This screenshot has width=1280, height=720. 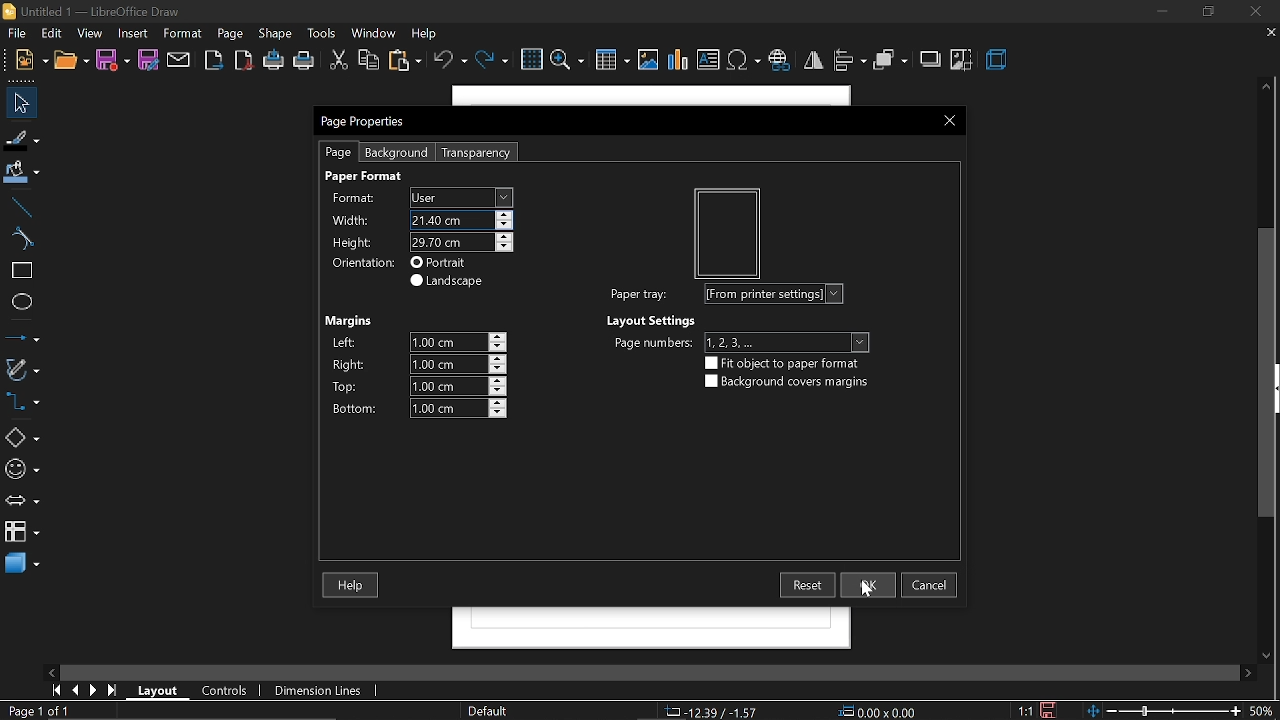 What do you see at coordinates (278, 34) in the screenshot?
I see `shape` at bounding box center [278, 34].